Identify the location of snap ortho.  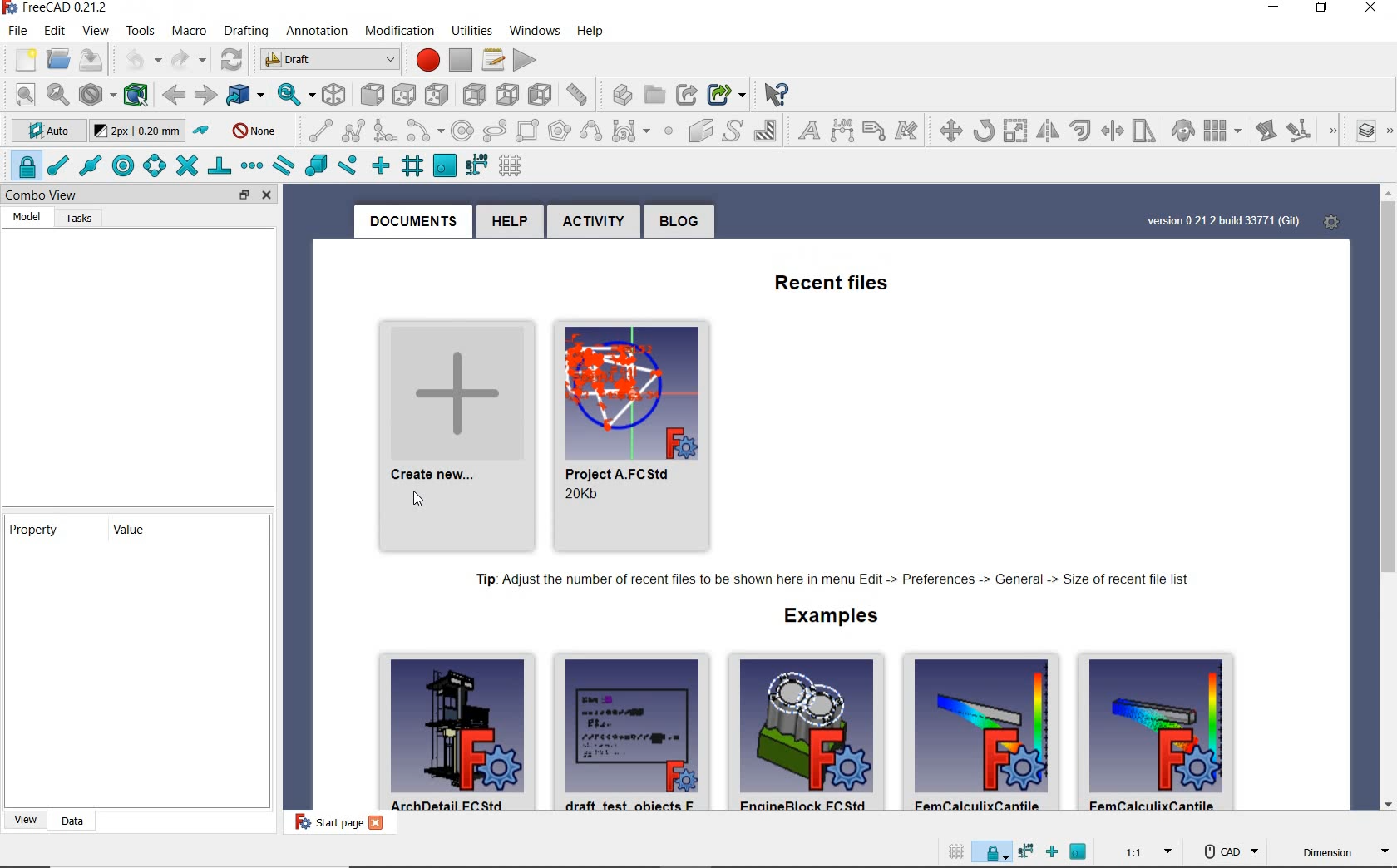
(382, 165).